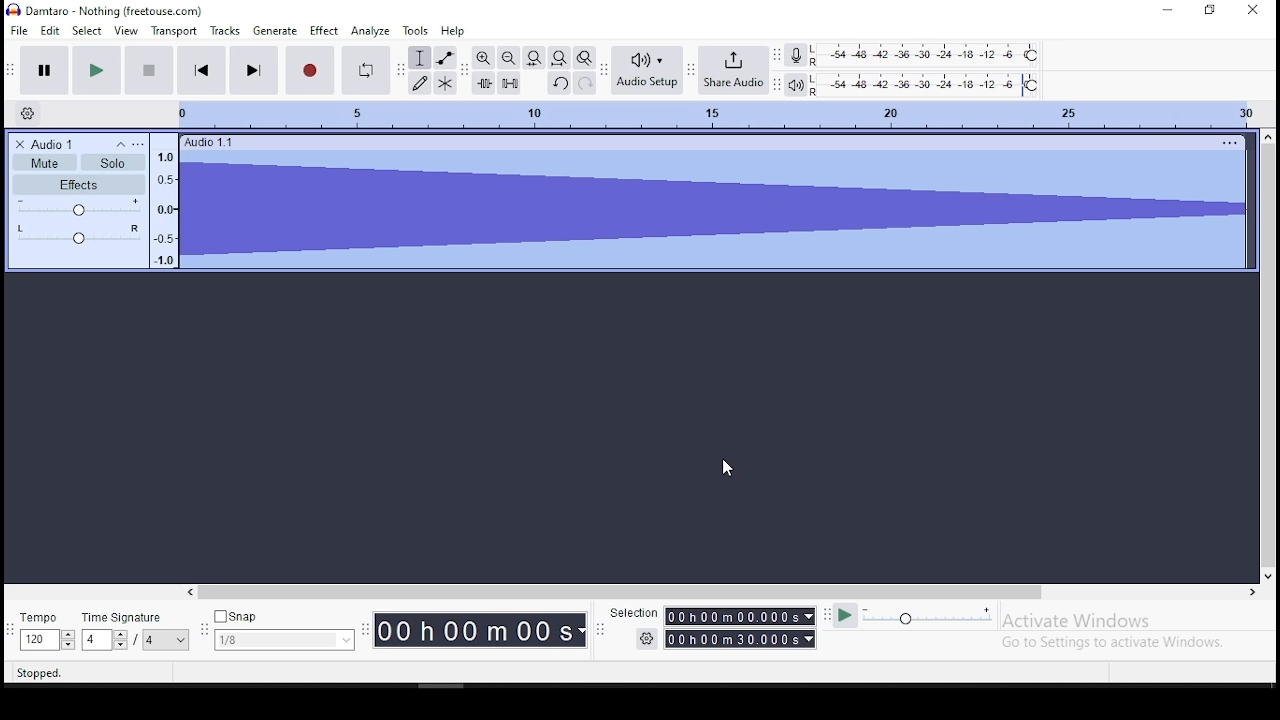 This screenshot has width=1280, height=720. What do you see at coordinates (370, 30) in the screenshot?
I see `analyze` at bounding box center [370, 30].